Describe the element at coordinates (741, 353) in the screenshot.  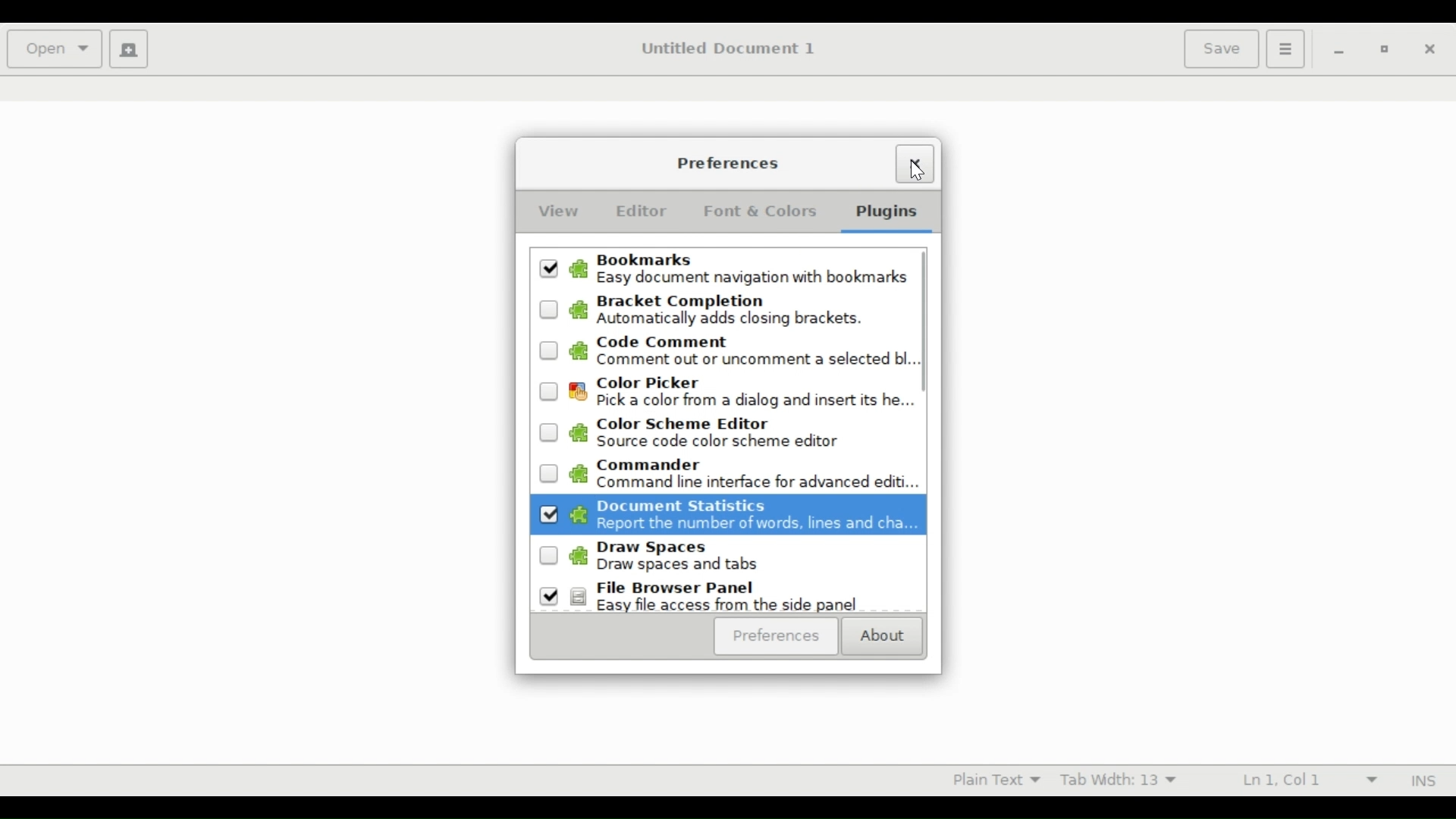
I see `(un)select Code Command. Comment out or uncomment a selected bl...` at that location.